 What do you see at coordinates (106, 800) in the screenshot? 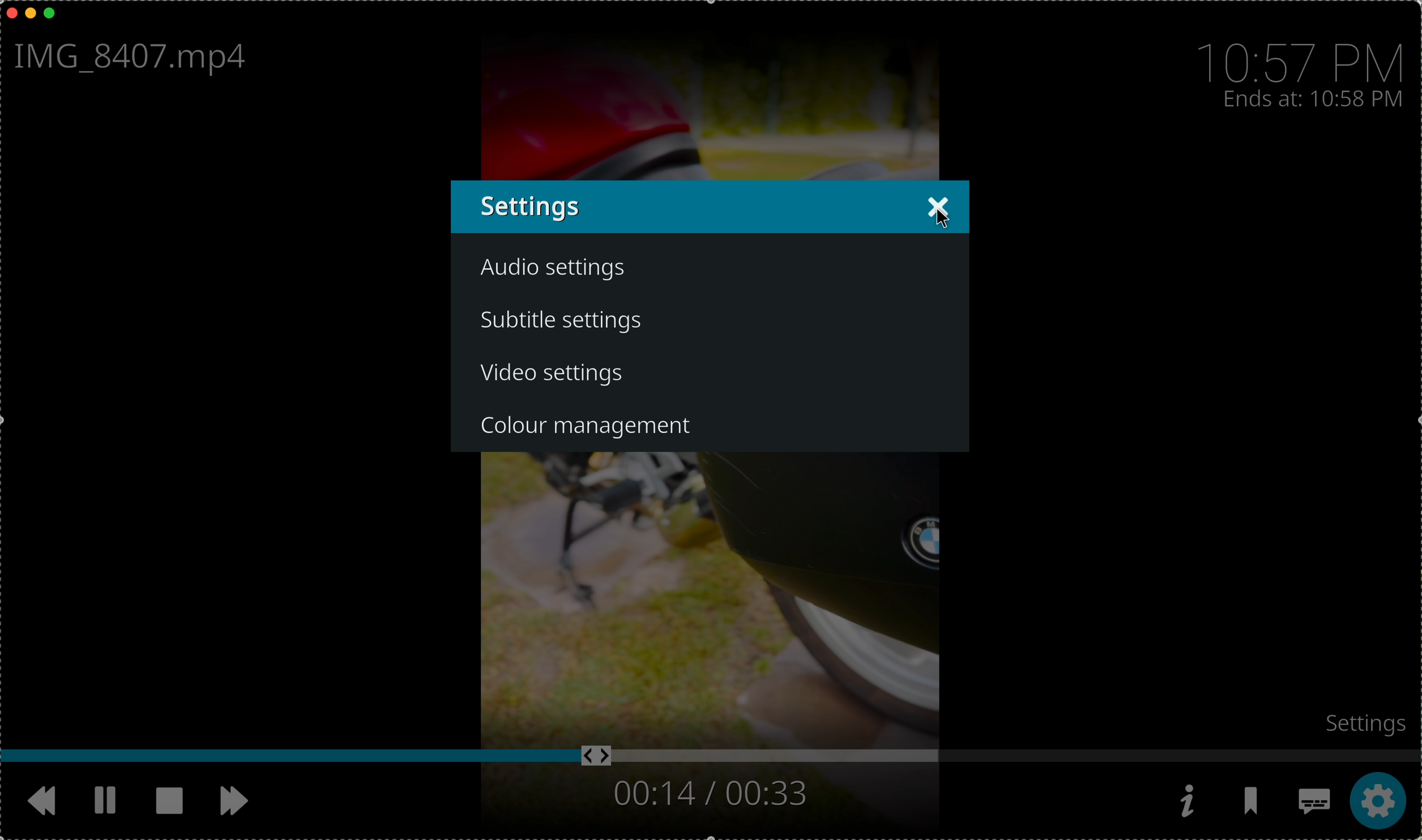
I see `pause` at bounding box center [106, 800].